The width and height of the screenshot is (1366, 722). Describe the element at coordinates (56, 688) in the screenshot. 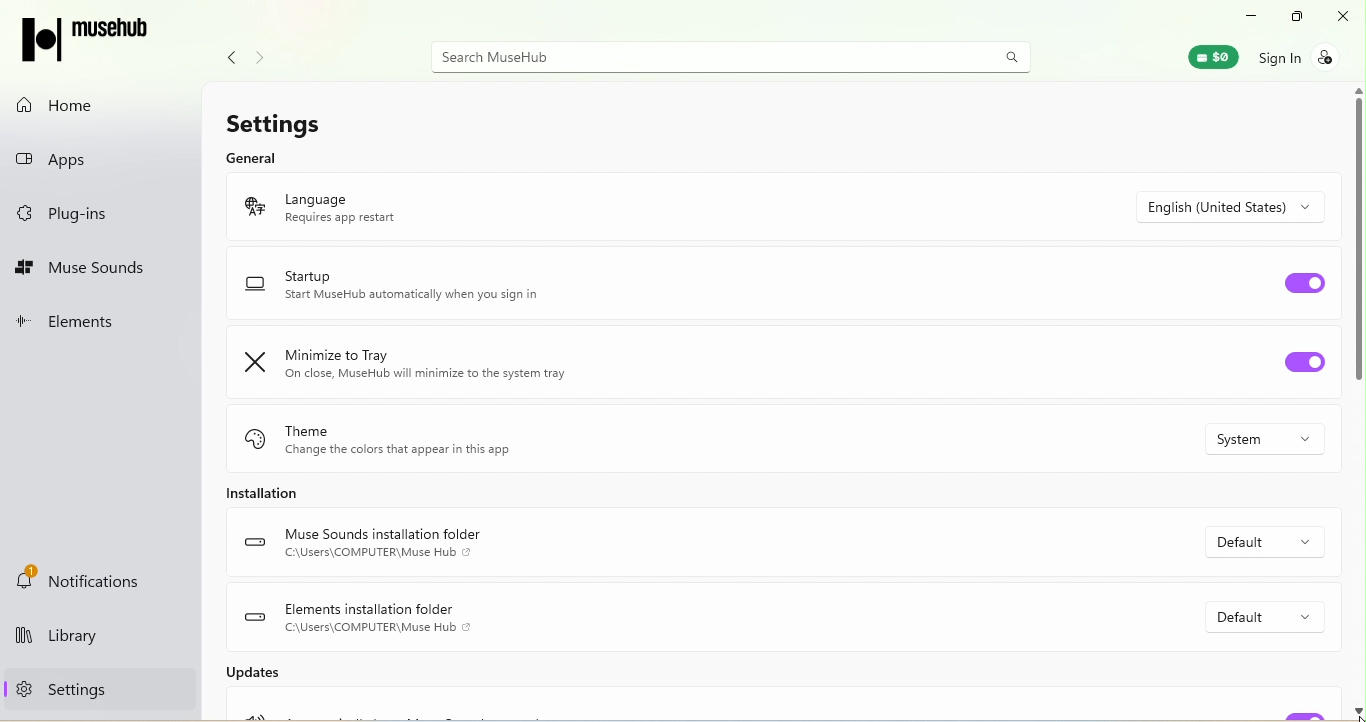

I see `Settings` at that location.